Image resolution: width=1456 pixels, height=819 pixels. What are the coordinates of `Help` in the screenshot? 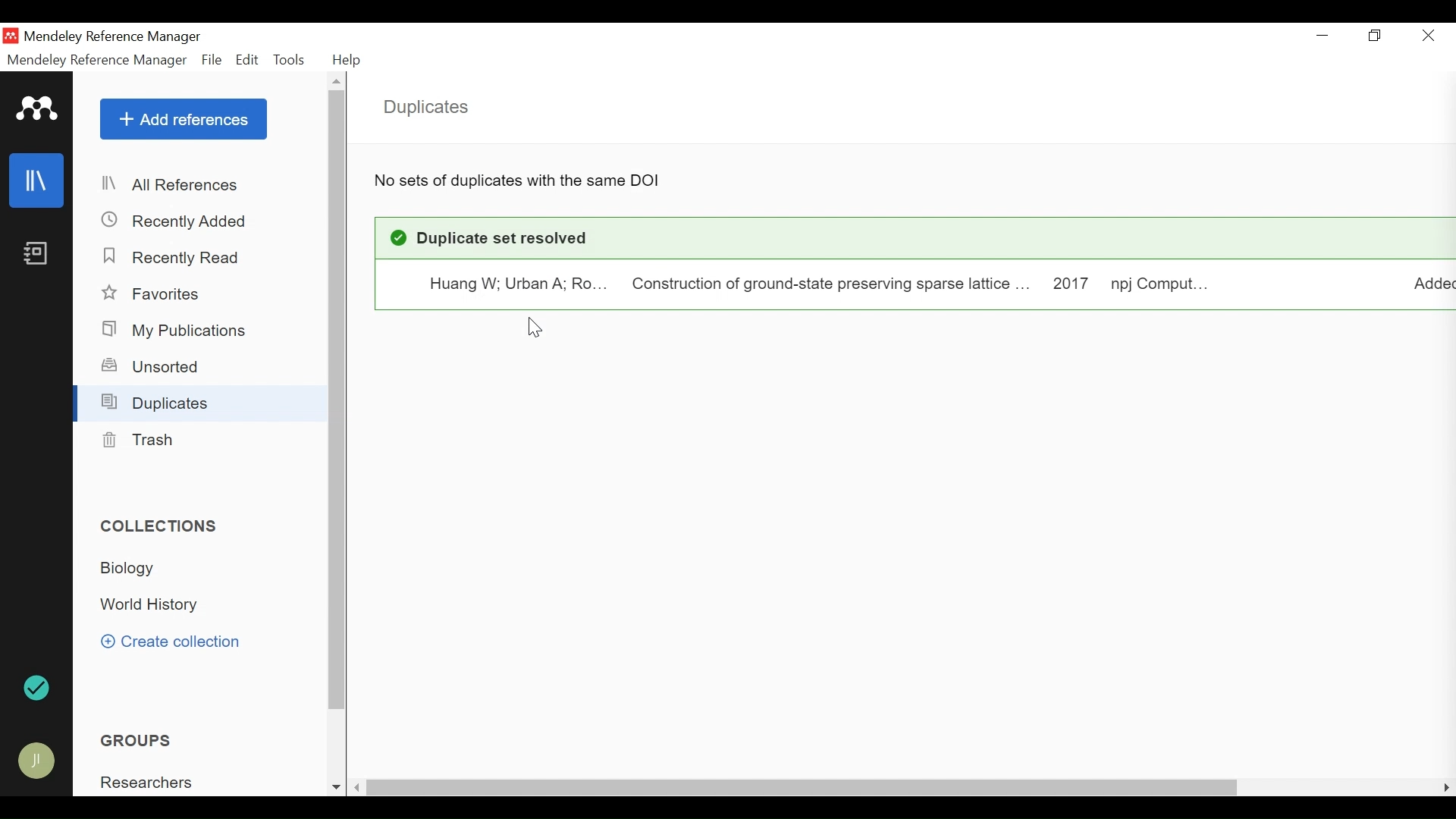 It's located at (349, 61).